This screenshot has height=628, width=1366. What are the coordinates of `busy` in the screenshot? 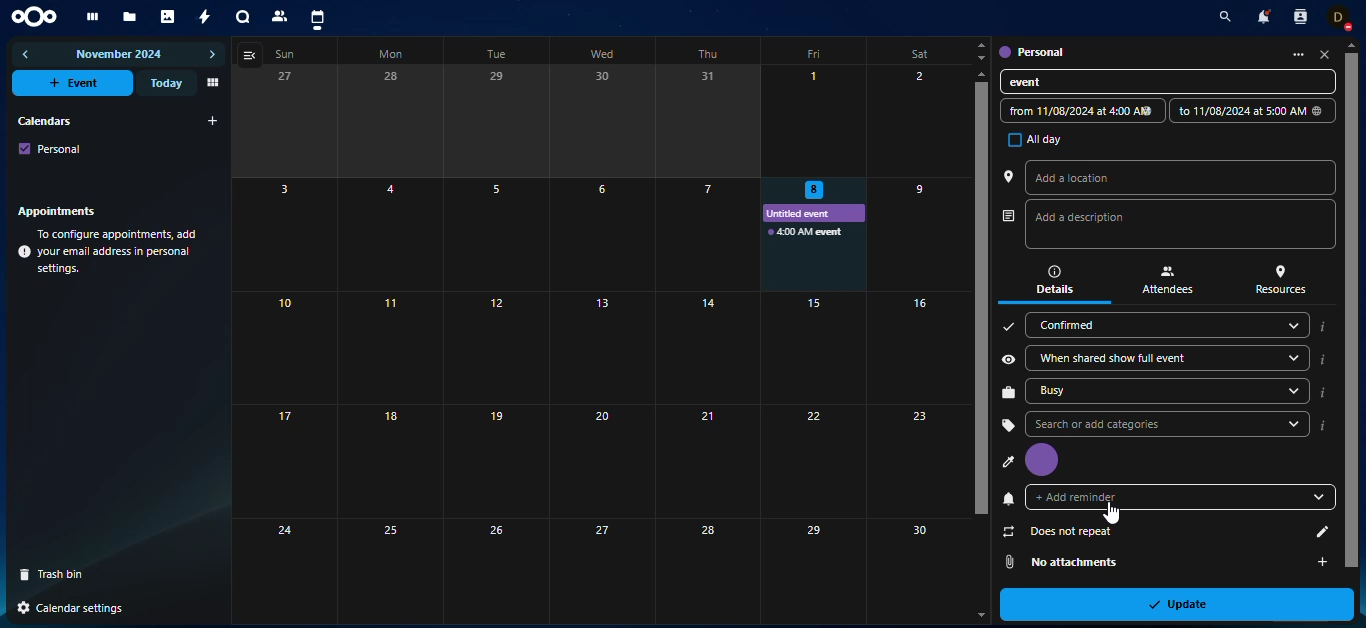 It's located at (1107, 392).